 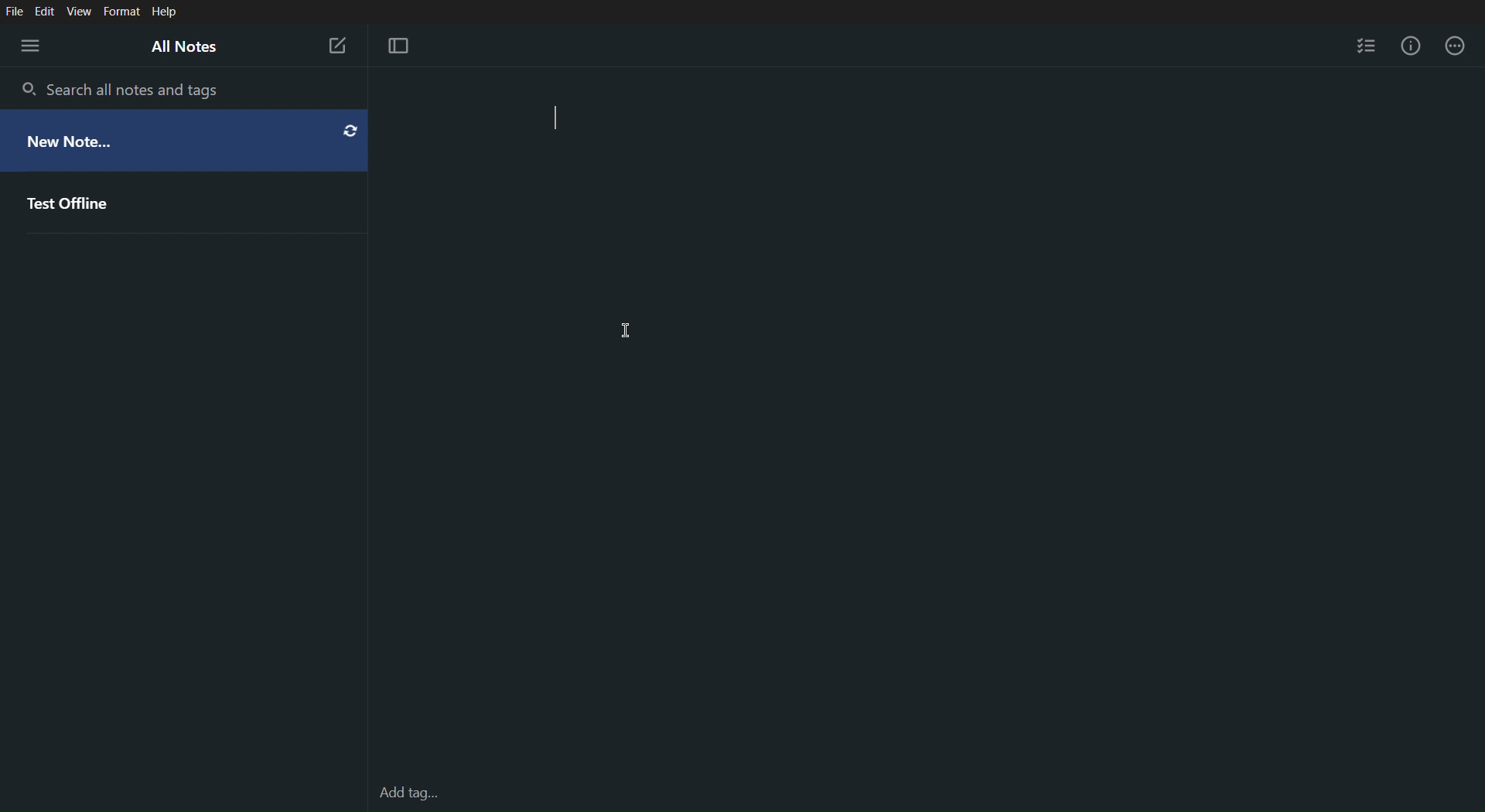 I want to click on Test Offline, so click(x=186, y=200).